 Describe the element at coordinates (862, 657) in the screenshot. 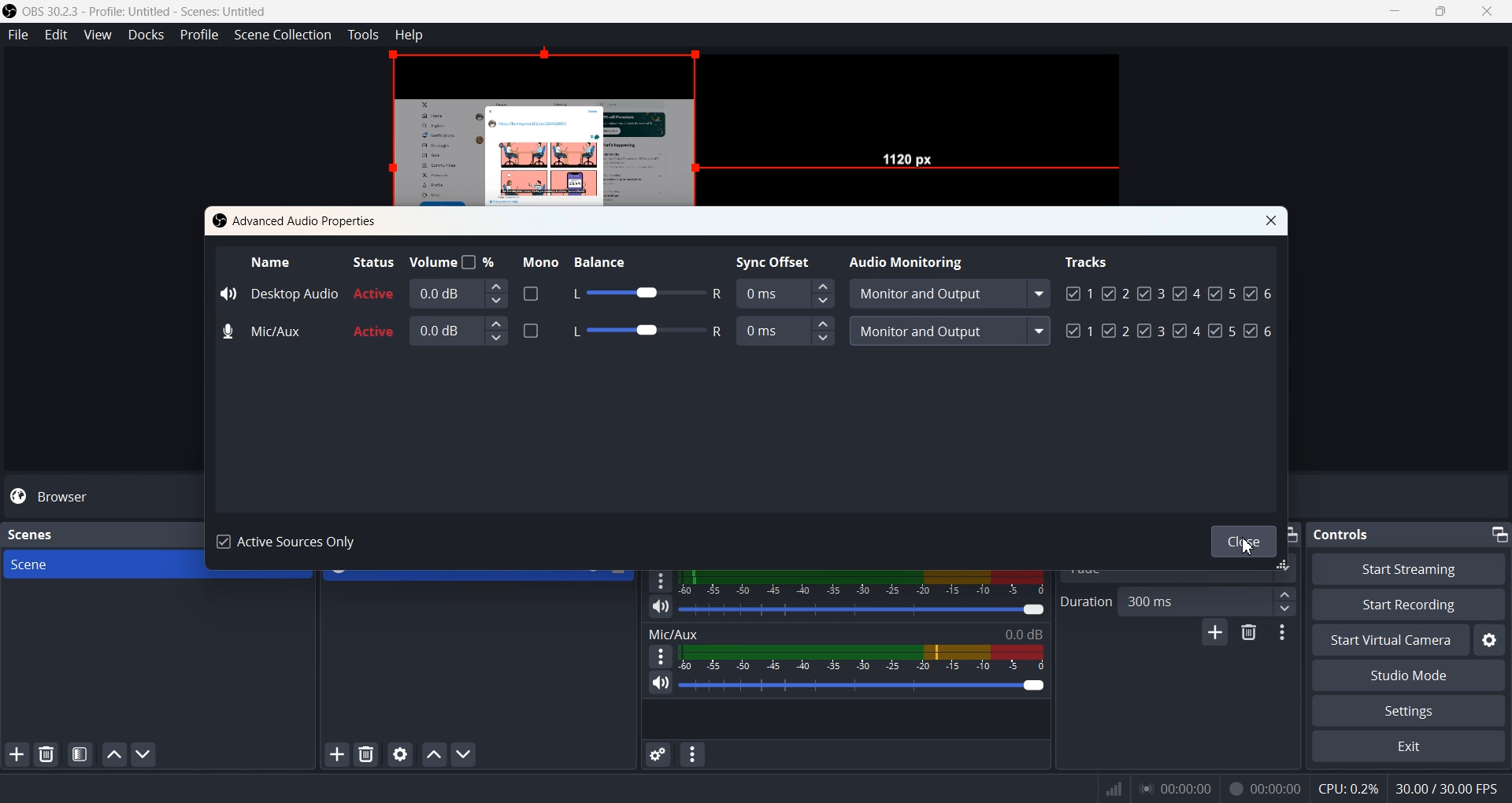

I see `Volume Indicator` at that location.